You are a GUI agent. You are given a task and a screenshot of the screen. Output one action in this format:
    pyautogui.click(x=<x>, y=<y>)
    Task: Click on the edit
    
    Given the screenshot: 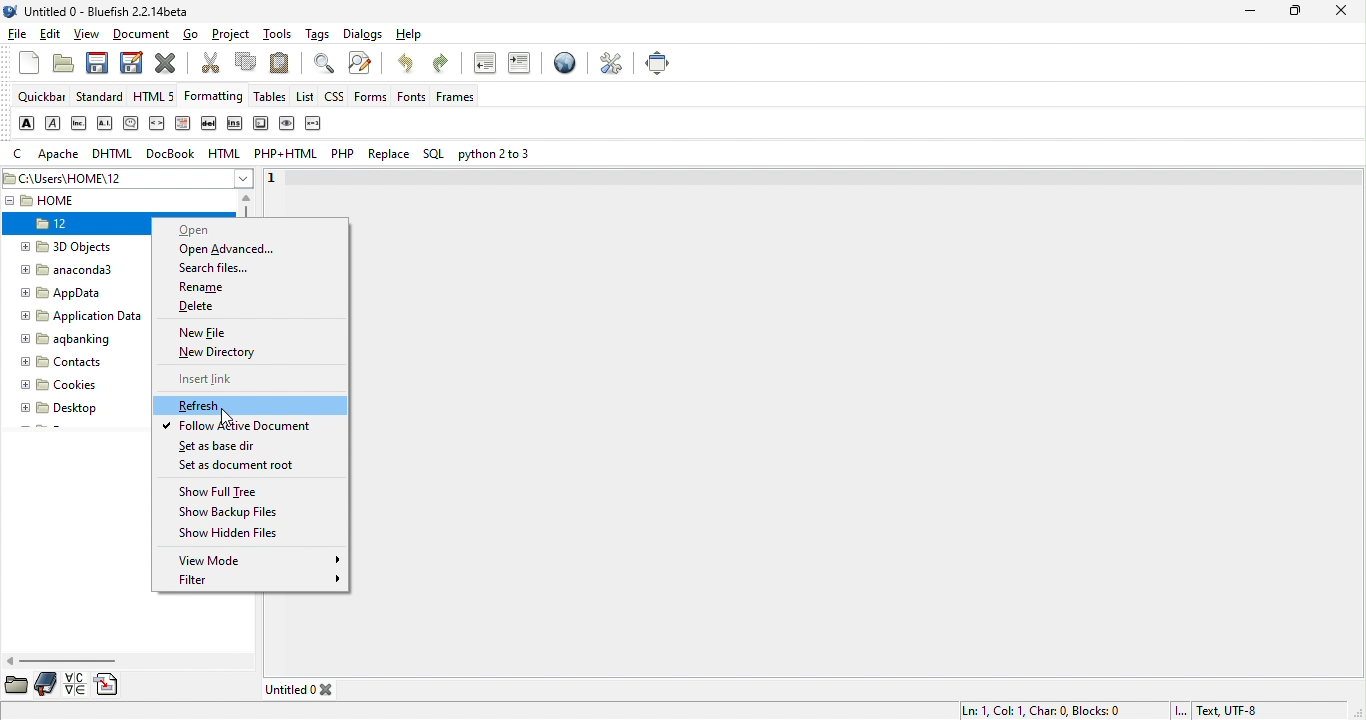 What is the action you would take?
    pyautogui.click(x=52, y=35)
    